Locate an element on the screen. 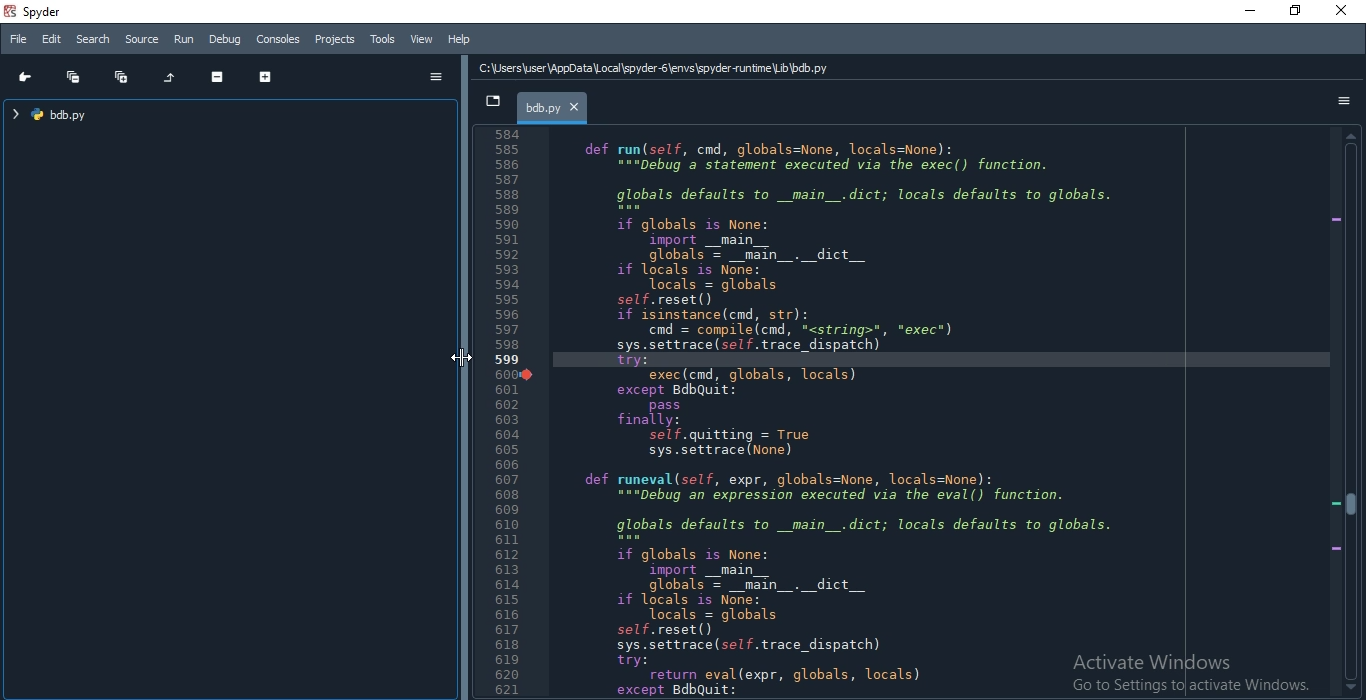 The width and height of the screenshot is (1366, 700). adjust pane is located at coordinates (464, 375).